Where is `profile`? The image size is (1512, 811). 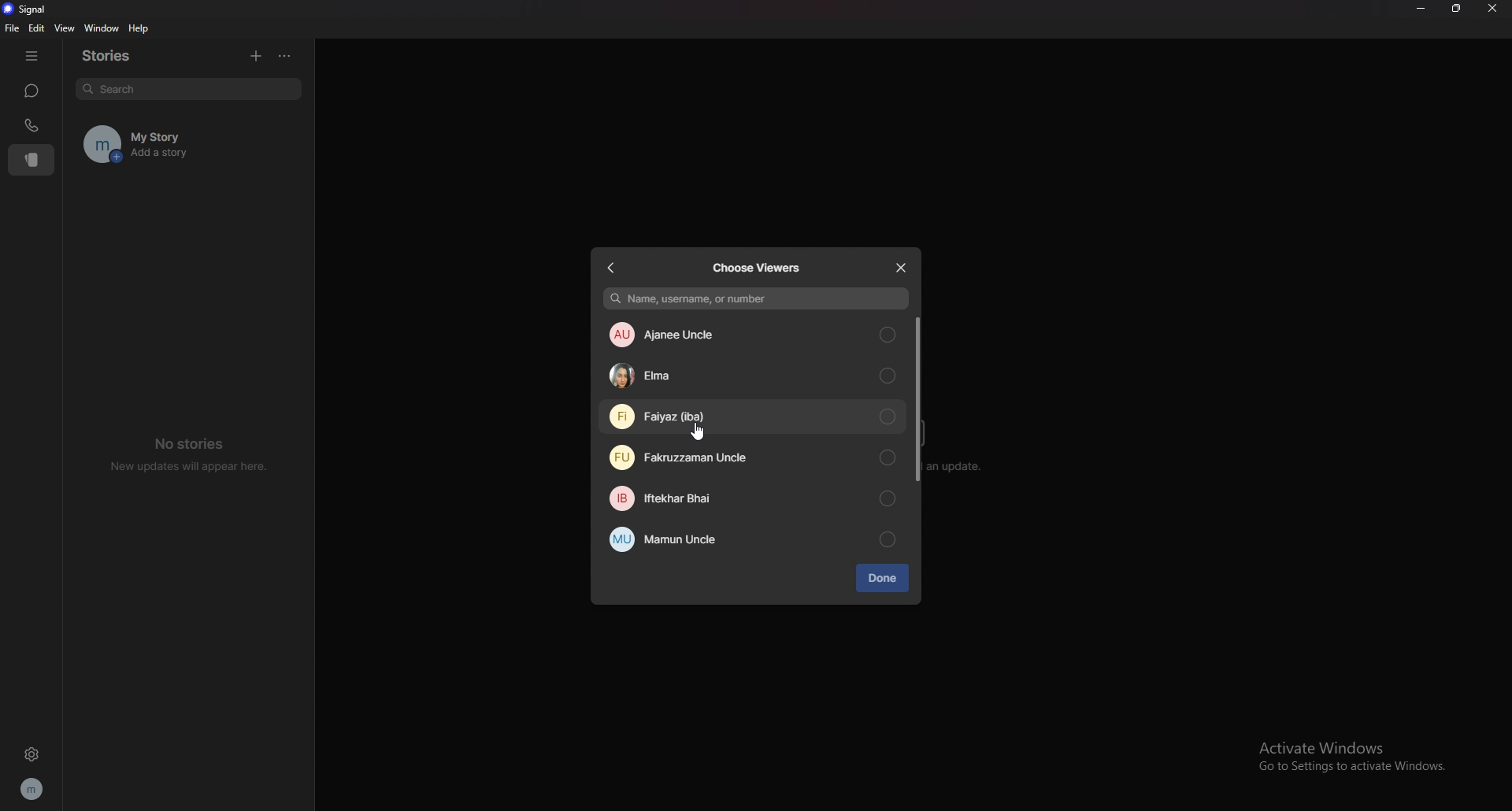 profile is located at coordinates (33, 787).